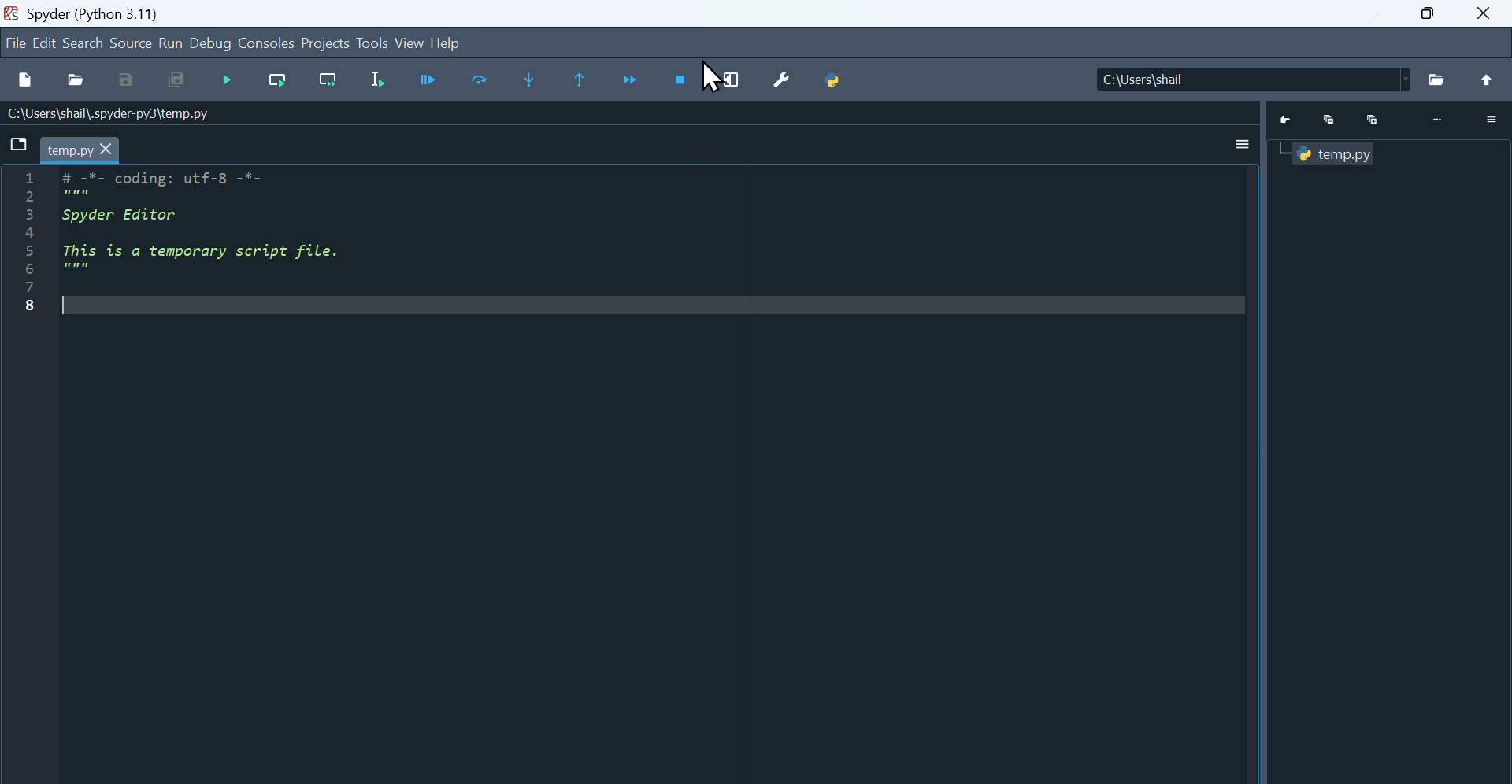 Image resolution: width=1512 pixels, height=784 pixels. I want to click on browse tabs, so click(18, 144).